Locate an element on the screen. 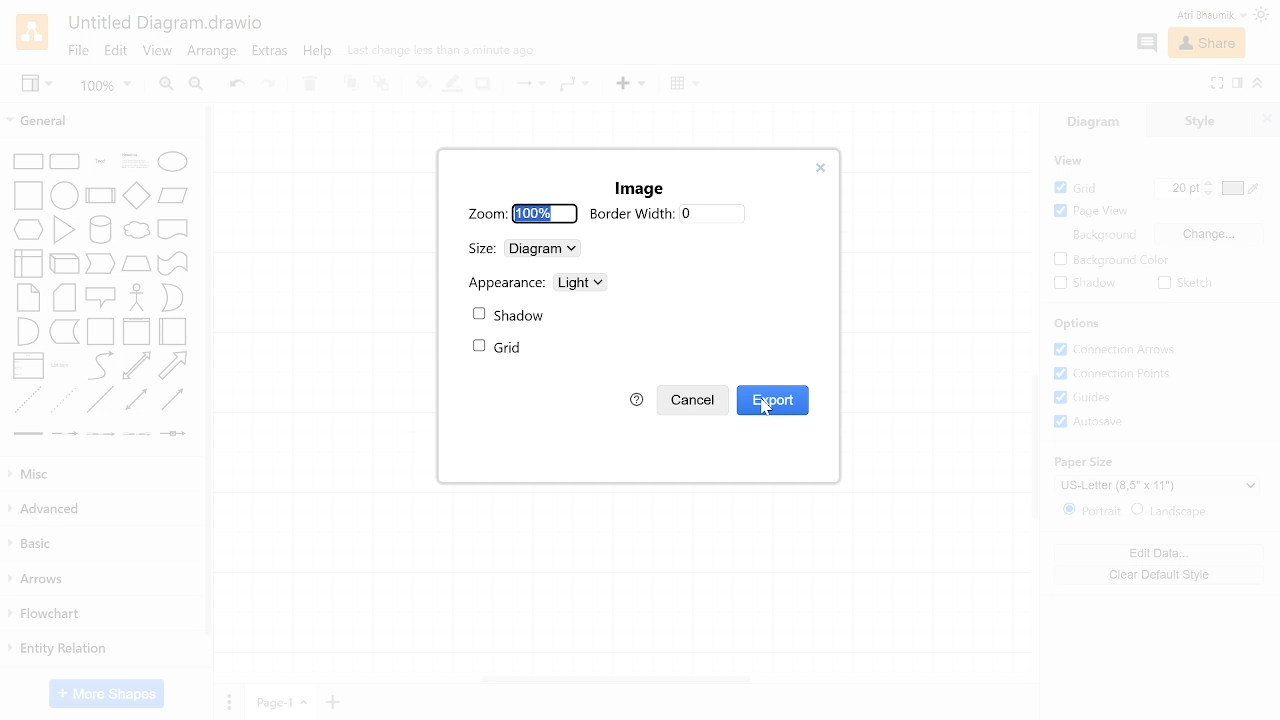 The image size is (1280, 720). Waypoints is located at coordinates (573, 85).